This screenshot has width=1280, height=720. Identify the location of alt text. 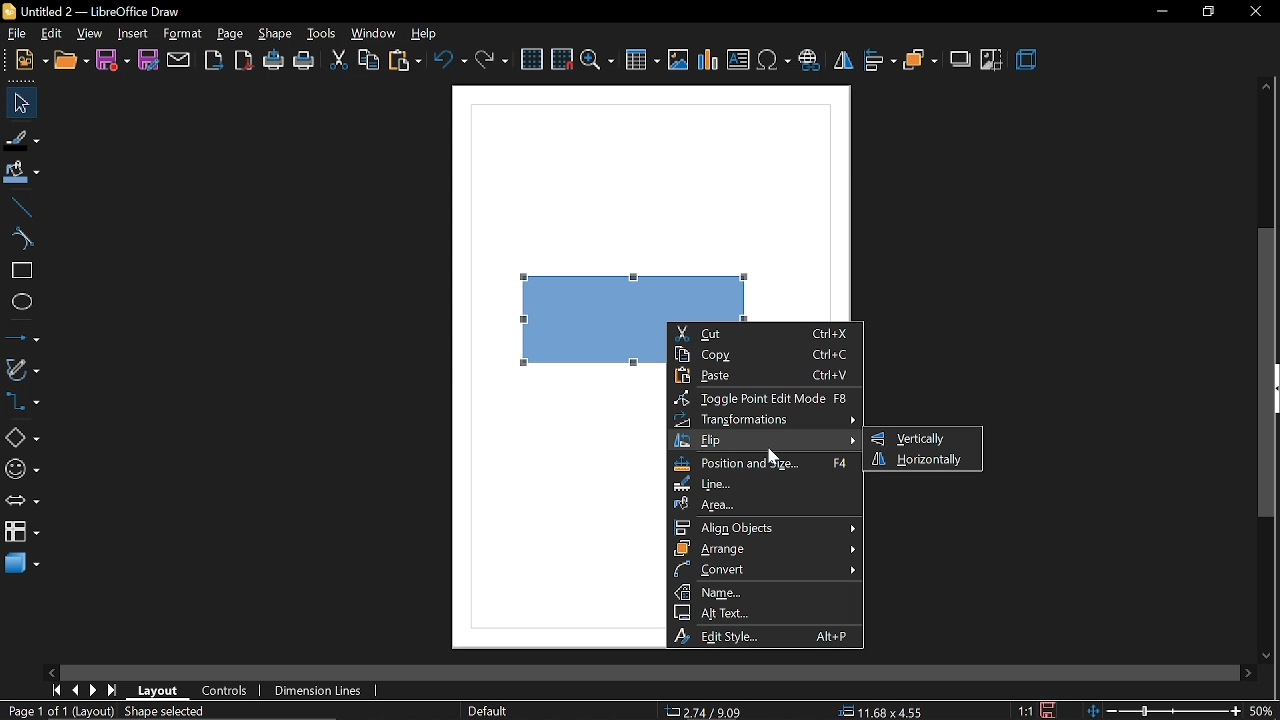
(764, 611).